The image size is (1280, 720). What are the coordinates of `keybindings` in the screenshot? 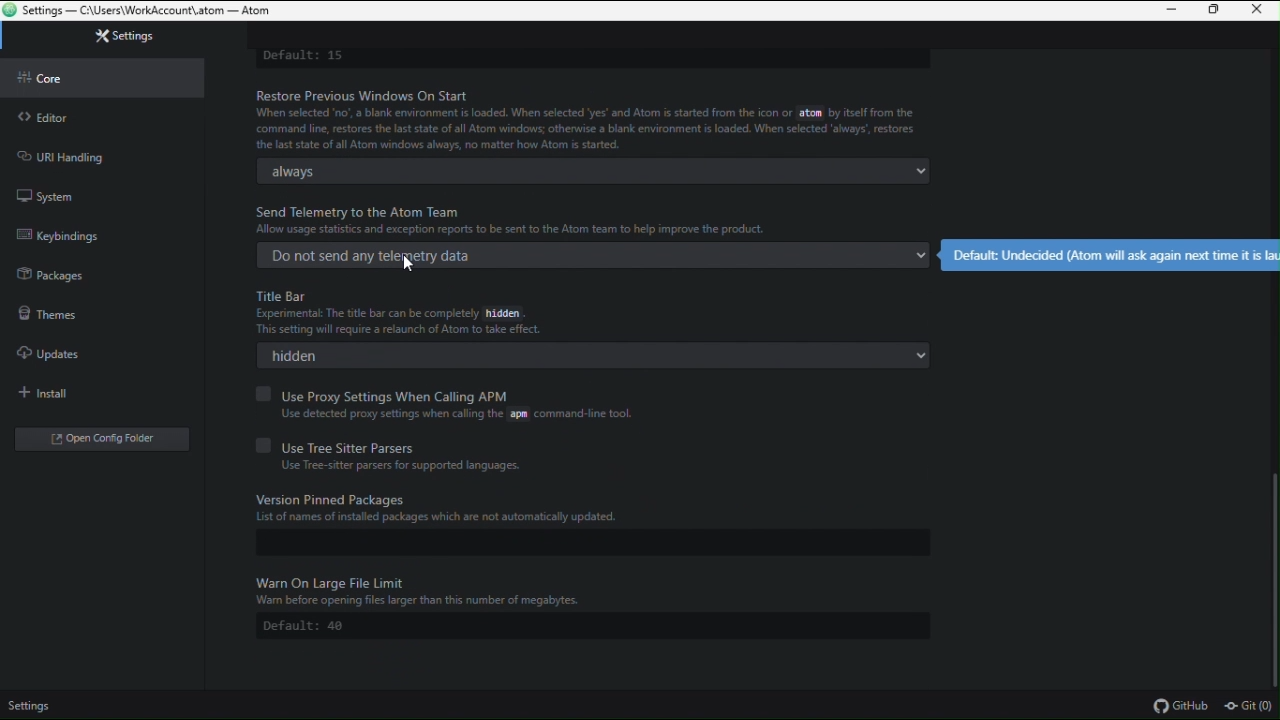 It's located at (106, 233).